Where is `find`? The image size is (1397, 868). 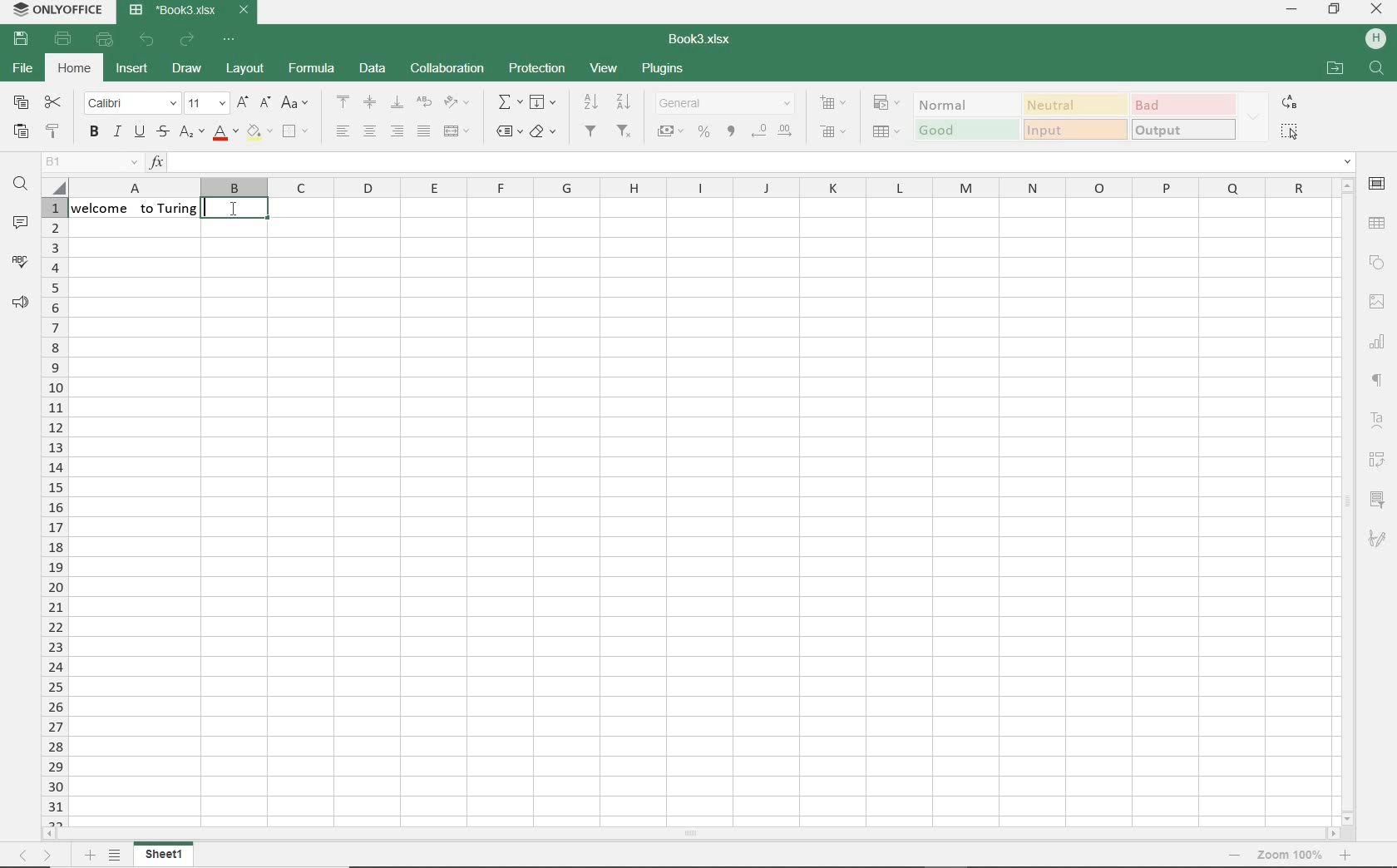 find is located at coordinates (22, 186).